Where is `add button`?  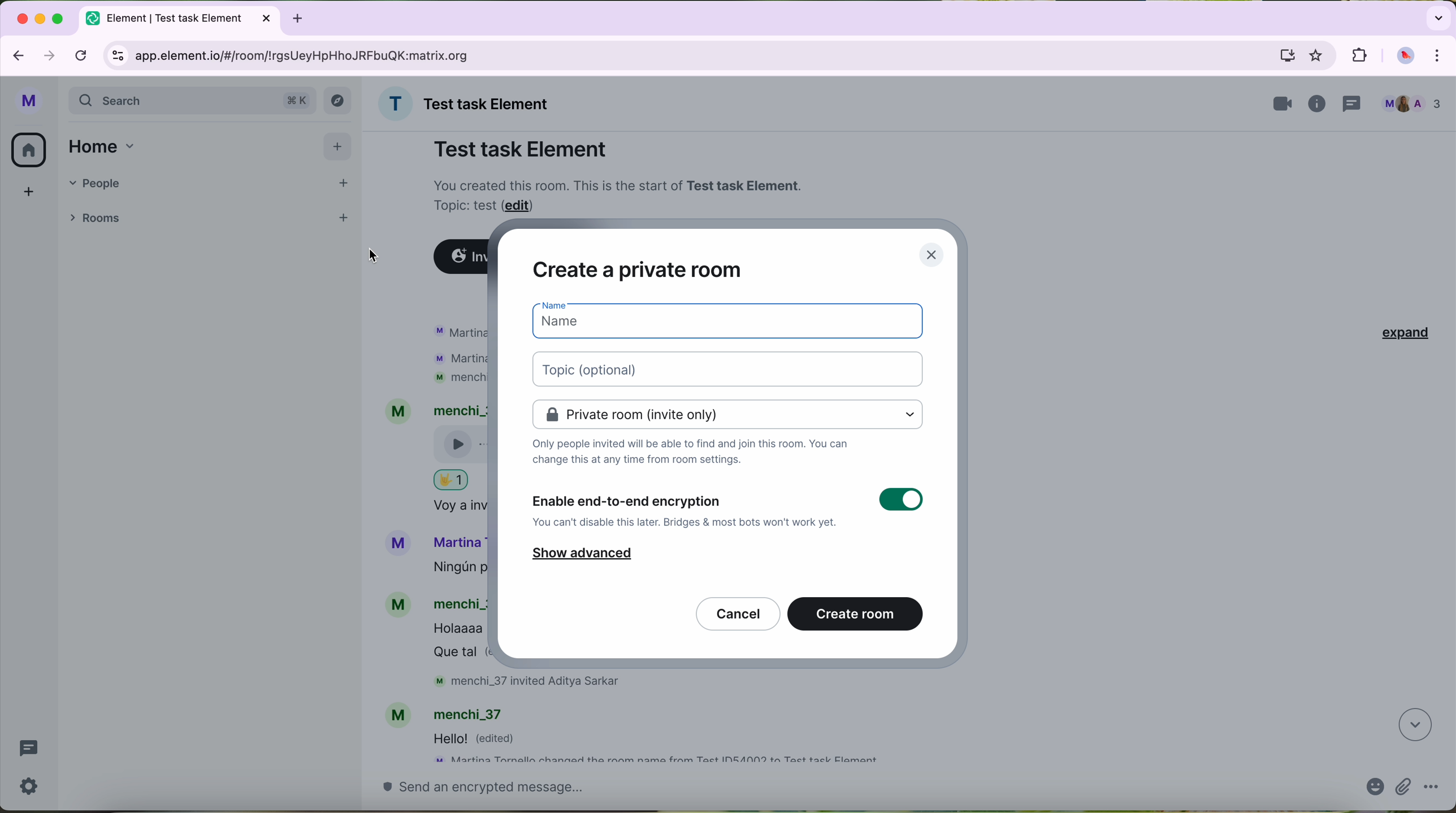 add button is located at coordinates (337, 145).